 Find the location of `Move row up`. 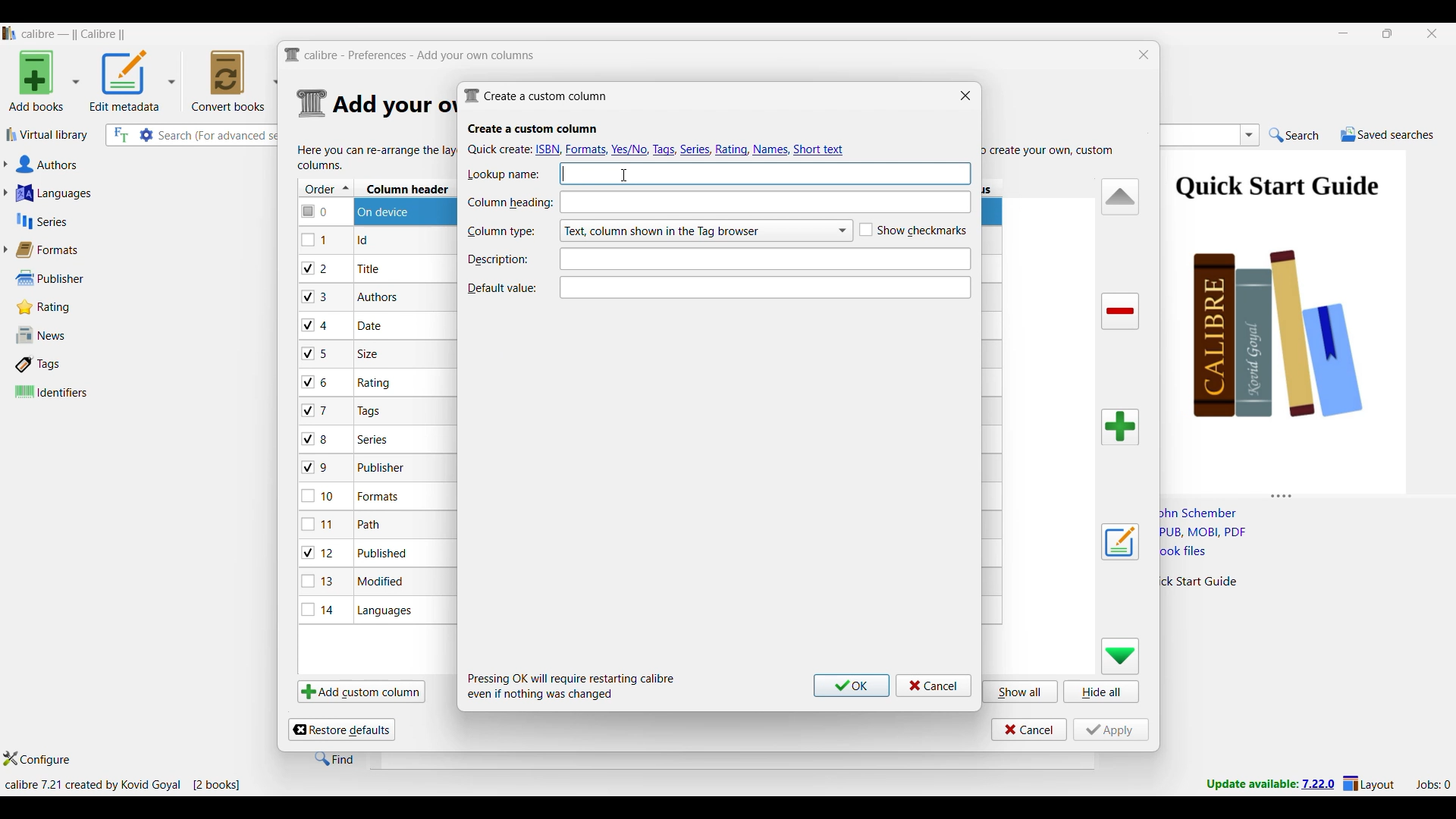

Move row up is located at coordinates (1121, 196).